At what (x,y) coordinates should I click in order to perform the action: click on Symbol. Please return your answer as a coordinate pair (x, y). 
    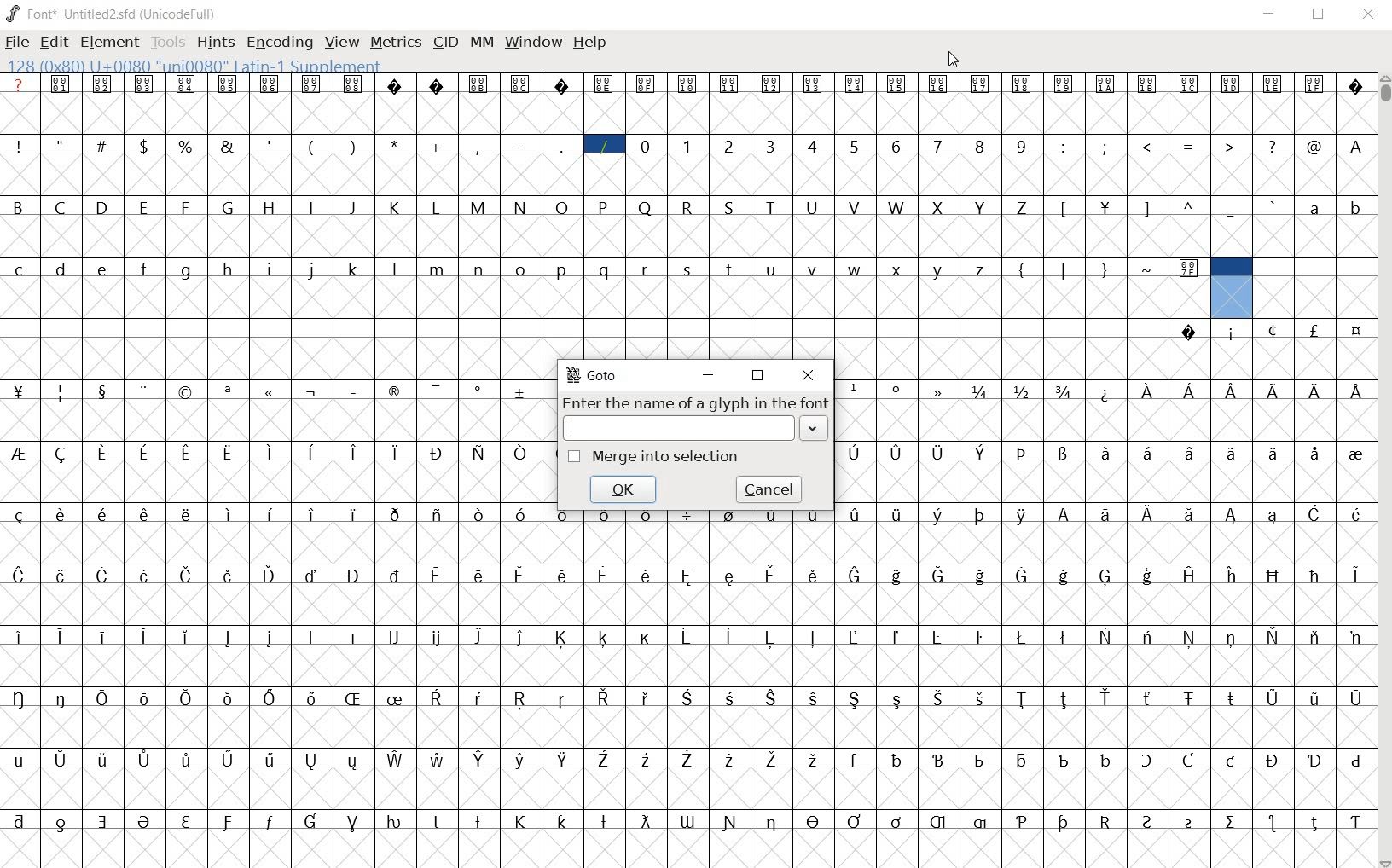
    Looking at the image, I should click on (17, 760).